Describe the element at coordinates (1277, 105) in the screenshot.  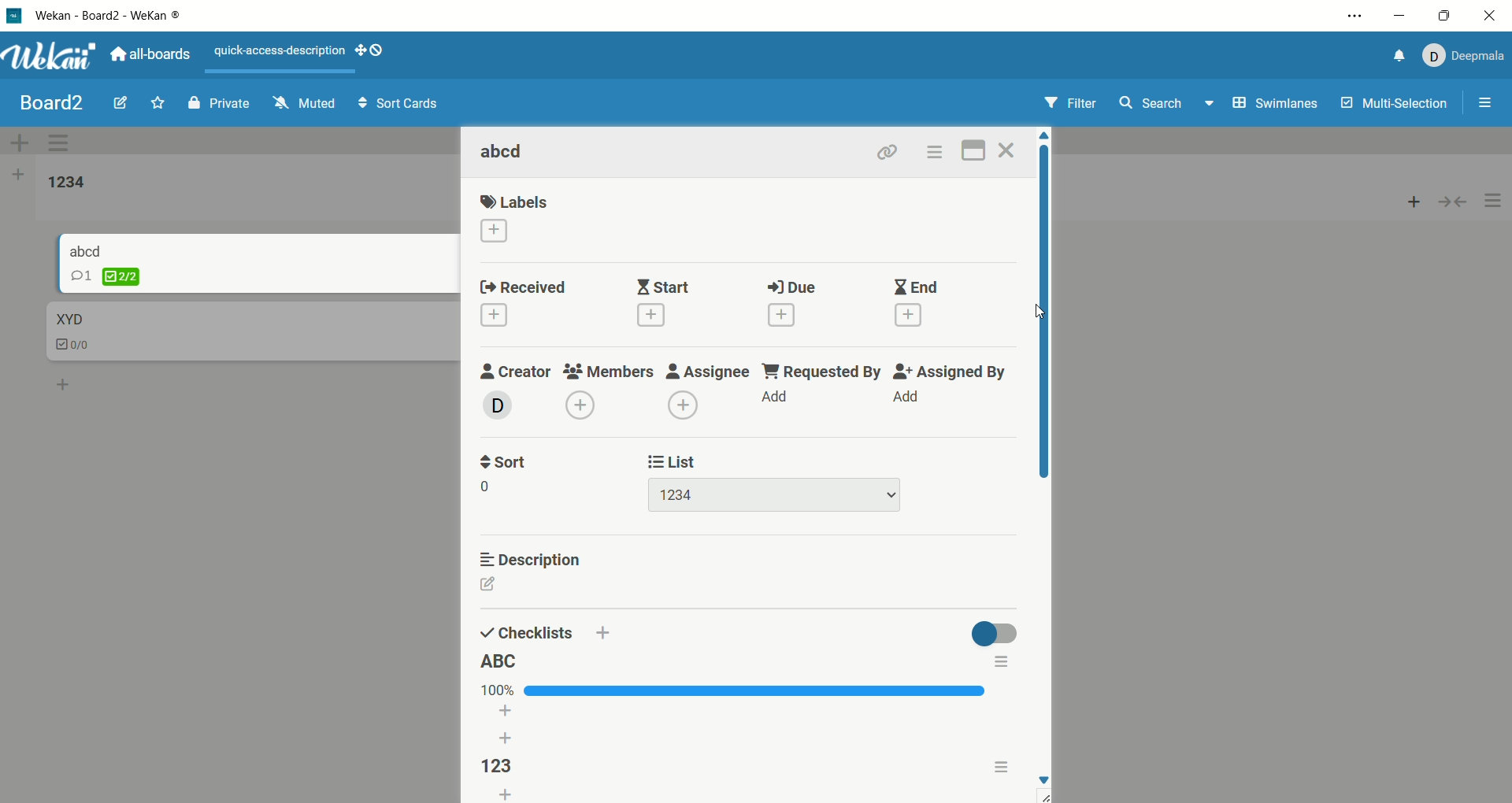
I see `swimlanes` at that location.